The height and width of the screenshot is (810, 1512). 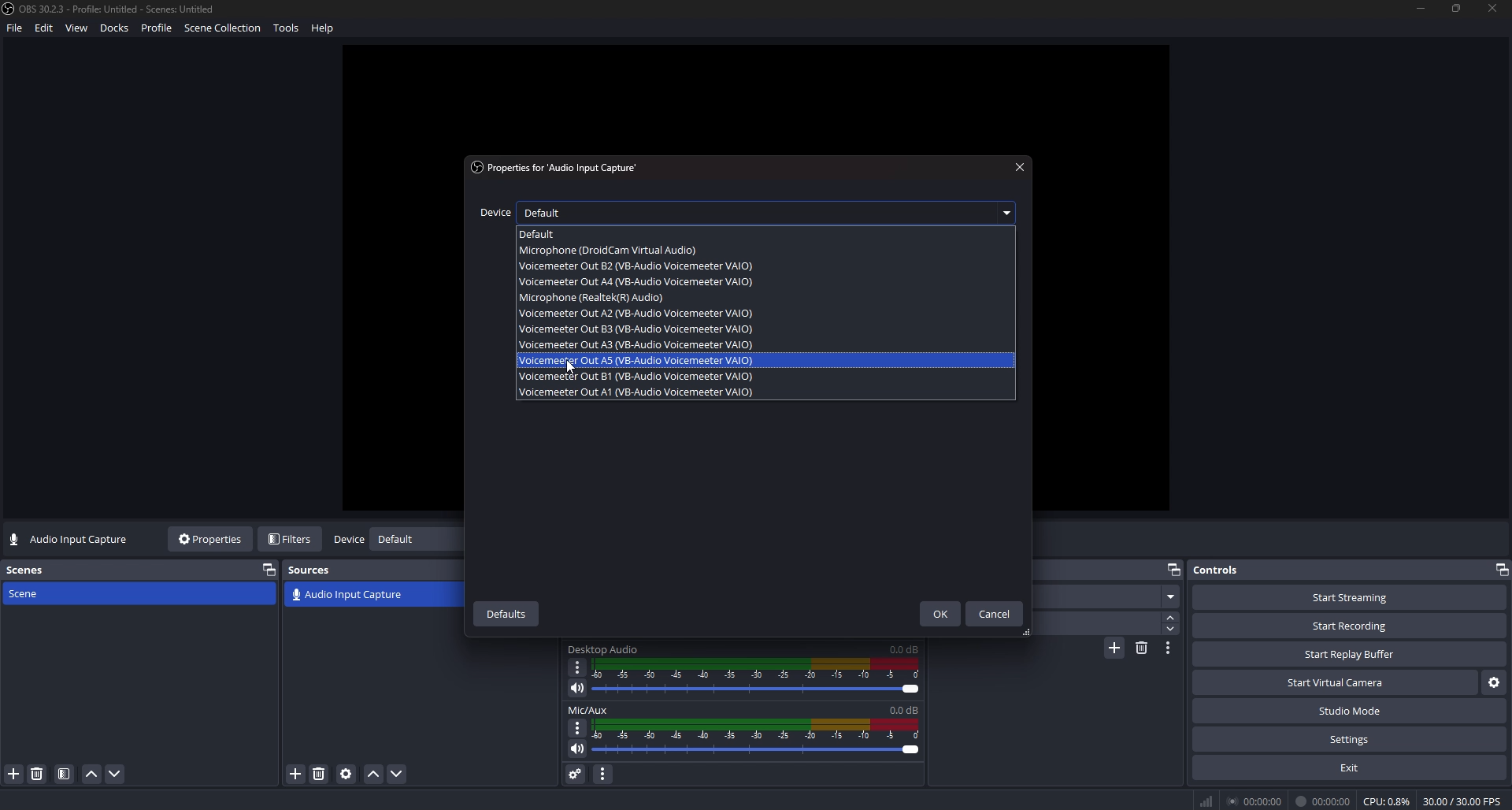 What do you see at coordinates (14, 774) in the screenshot?
I see `add scene` at bounding box center [14, 774].